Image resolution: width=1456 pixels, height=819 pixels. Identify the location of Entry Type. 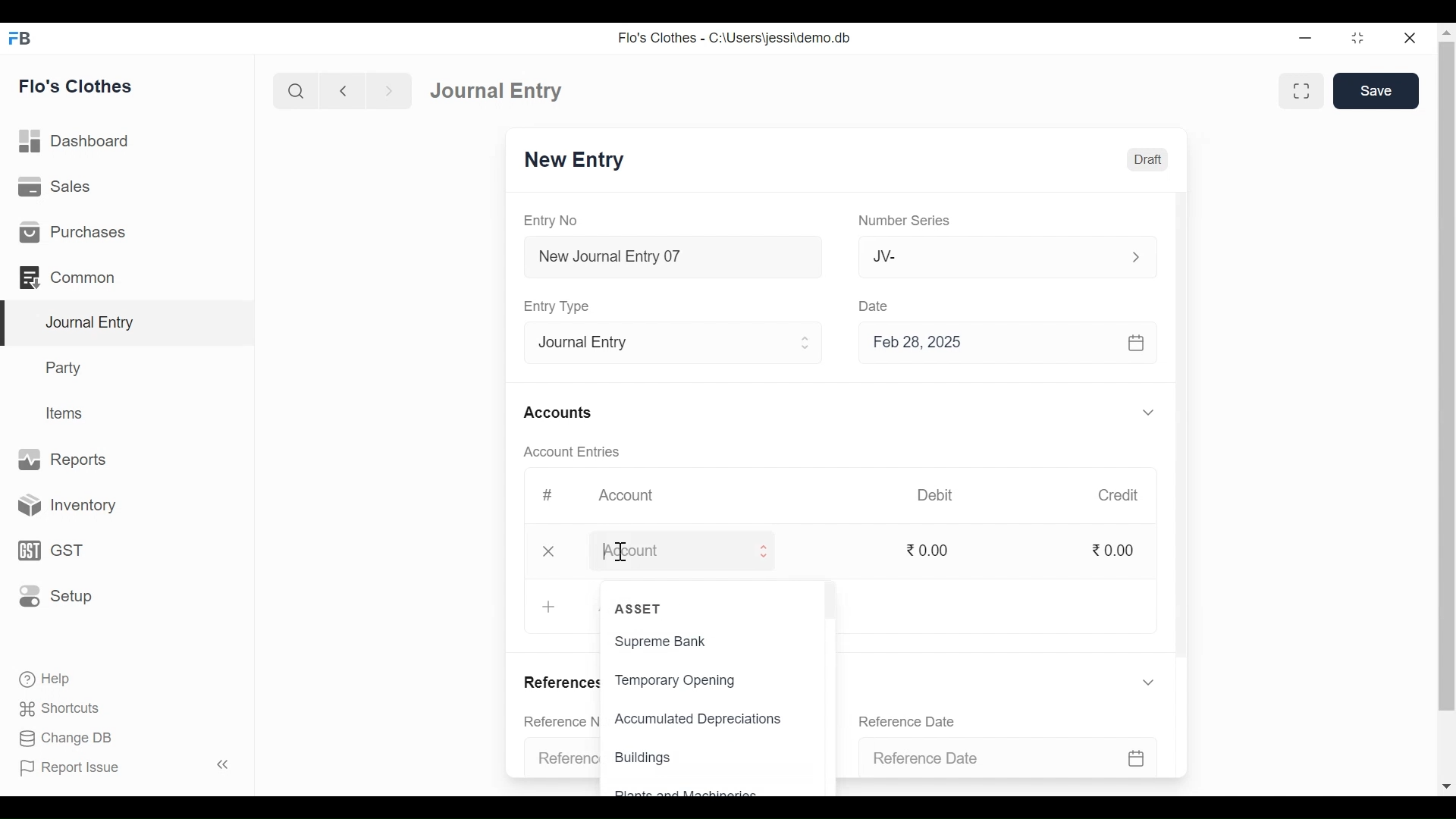
(565, 306).